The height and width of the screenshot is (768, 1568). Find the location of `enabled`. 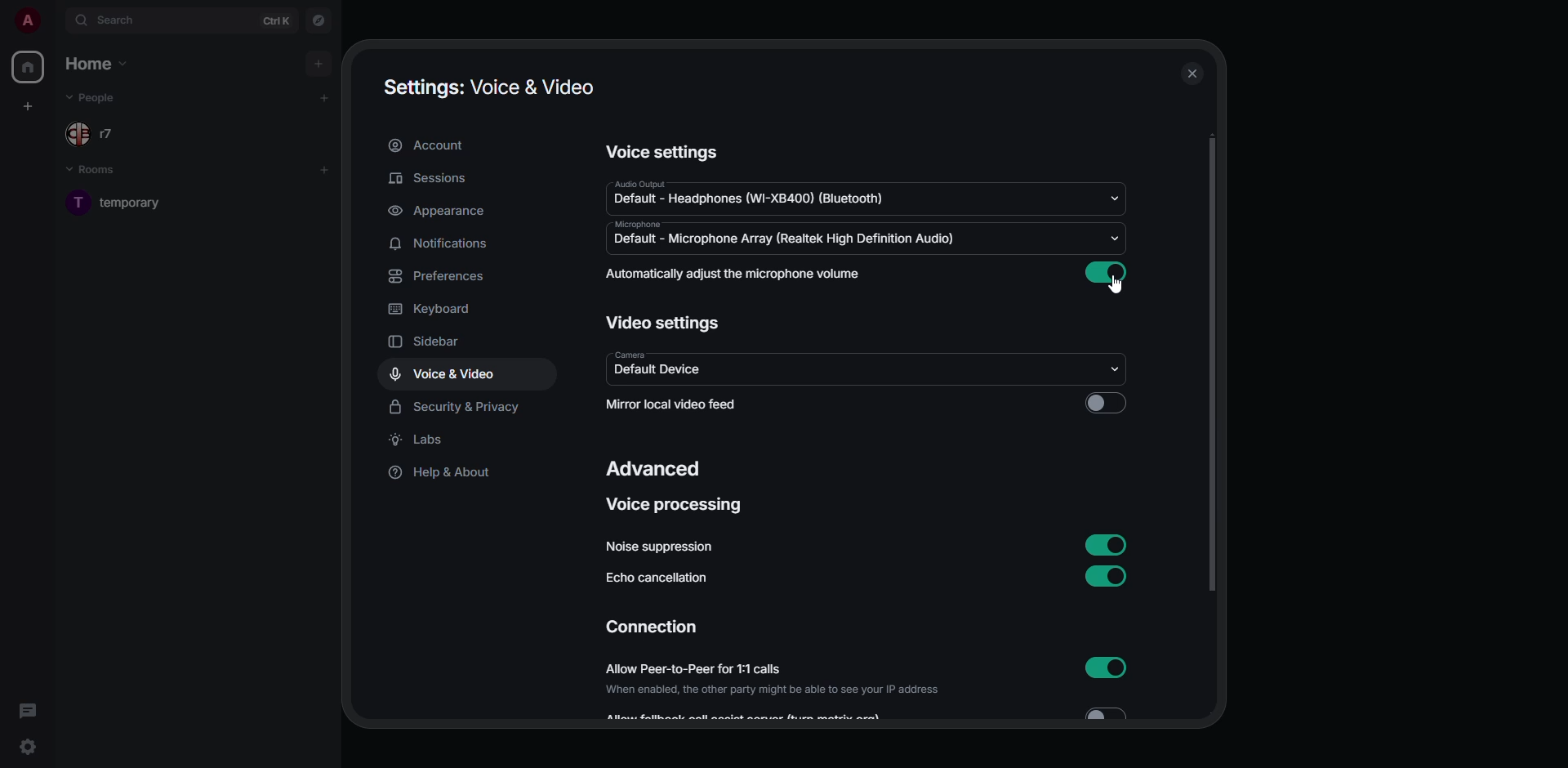

enabled is located at coordinates (1106, 273).